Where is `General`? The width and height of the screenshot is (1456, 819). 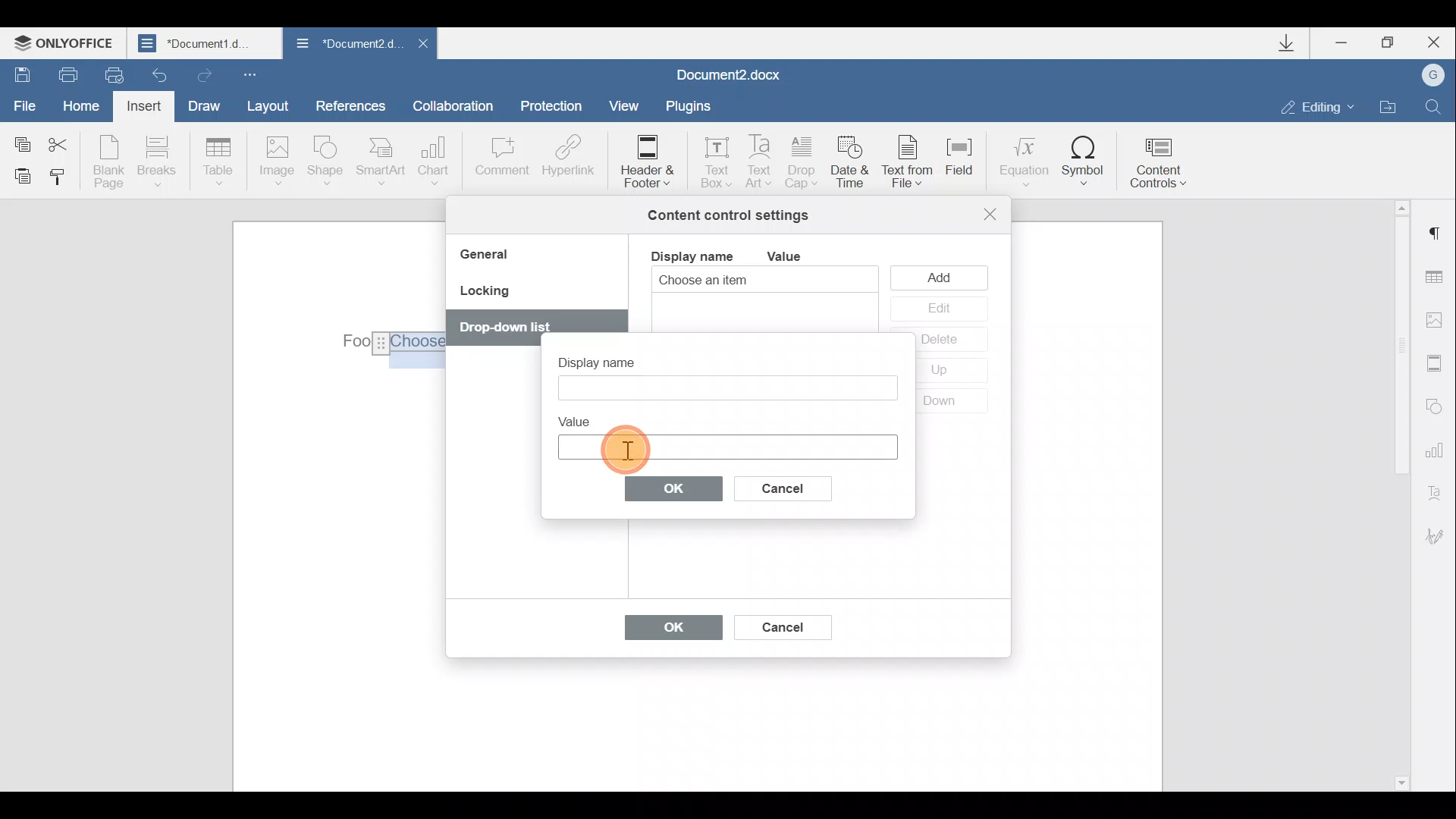
General is located at coordinates (490, 256).